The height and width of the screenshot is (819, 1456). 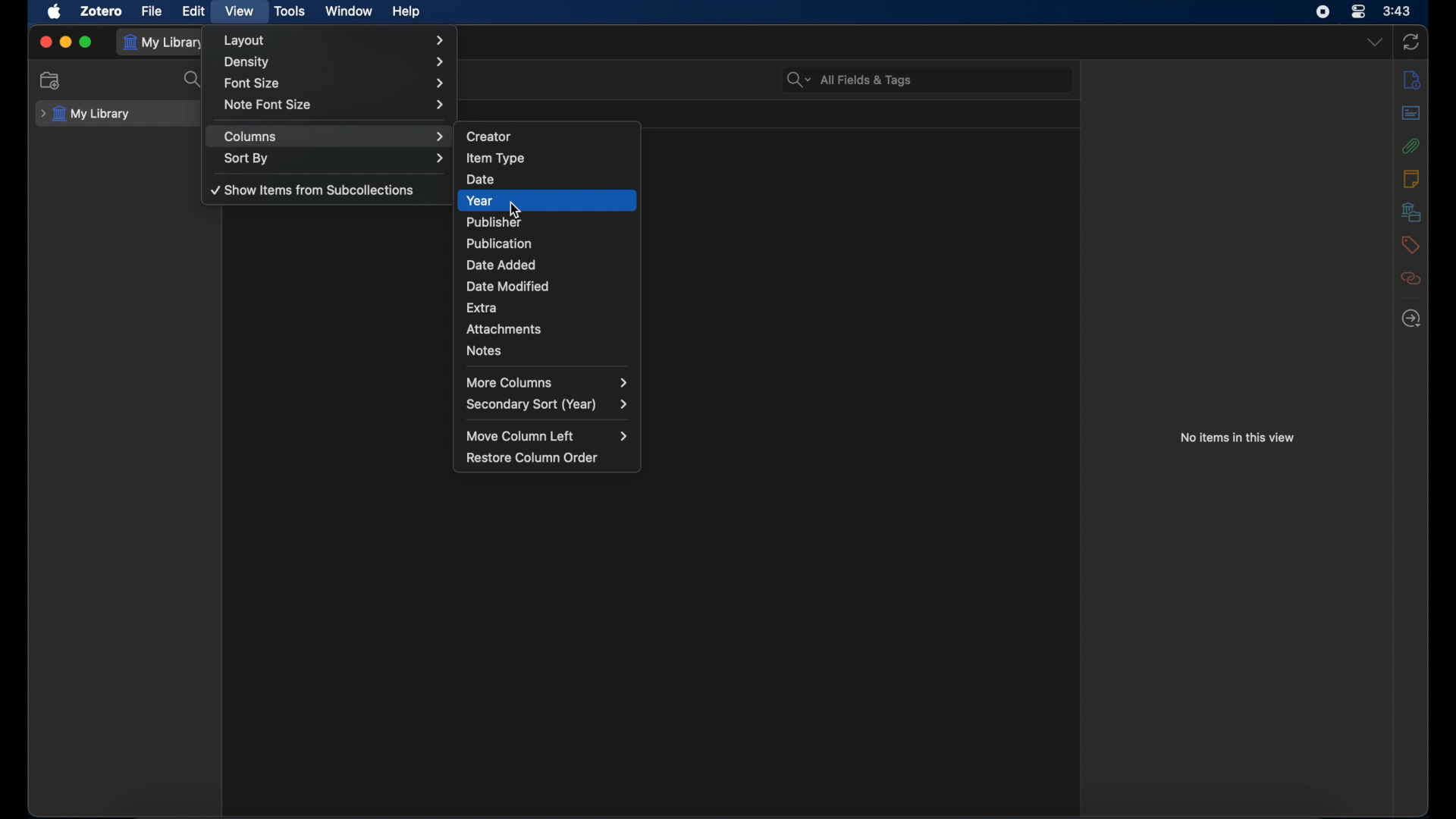 What do you see at coordinates (406, 11) in the screenshot?
I see `help` at bounding box center [406, 11].